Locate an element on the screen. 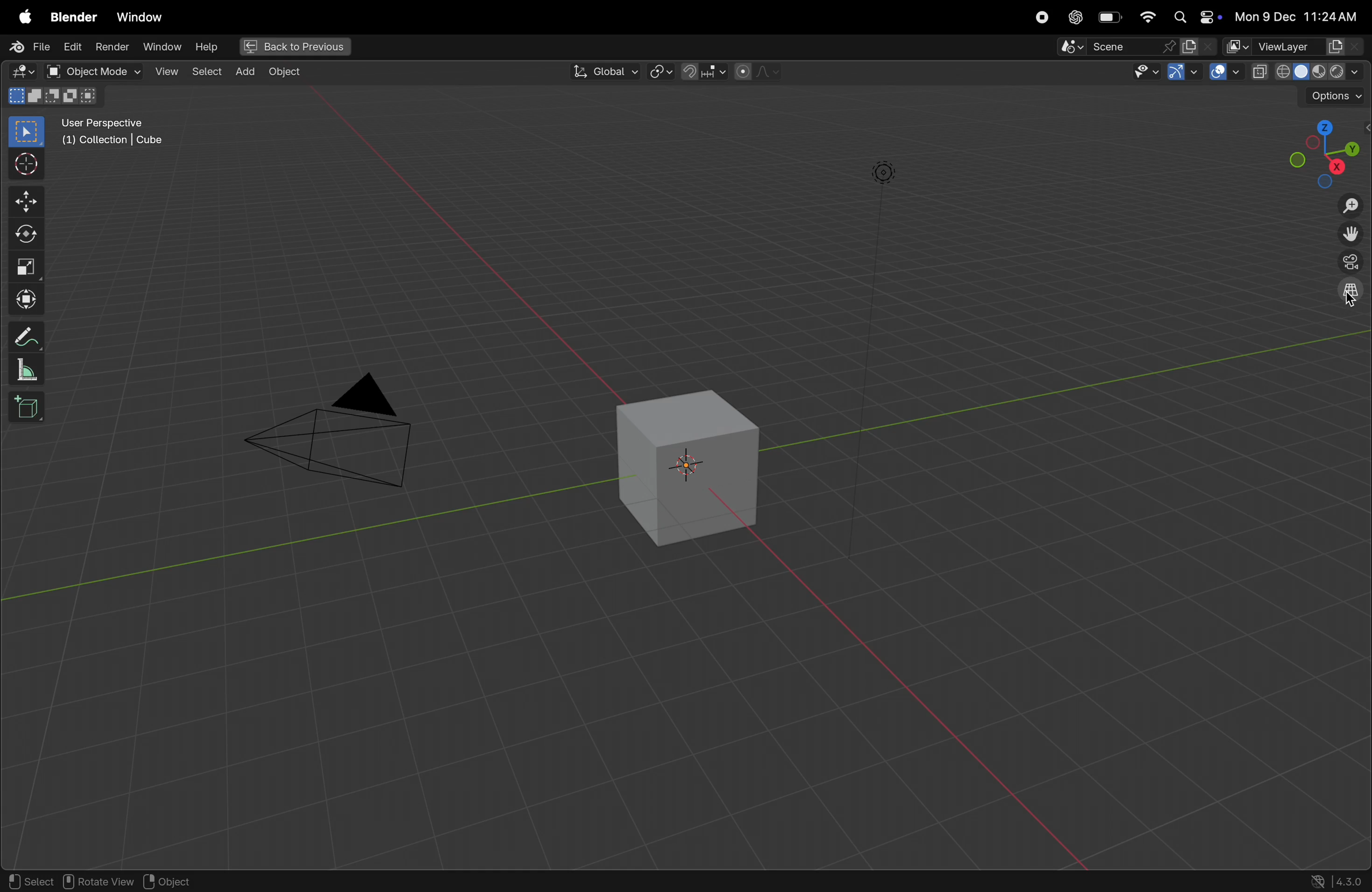 The width and height of the screenshot is (1372, 892). rotate is located at coordinates (22, 235).